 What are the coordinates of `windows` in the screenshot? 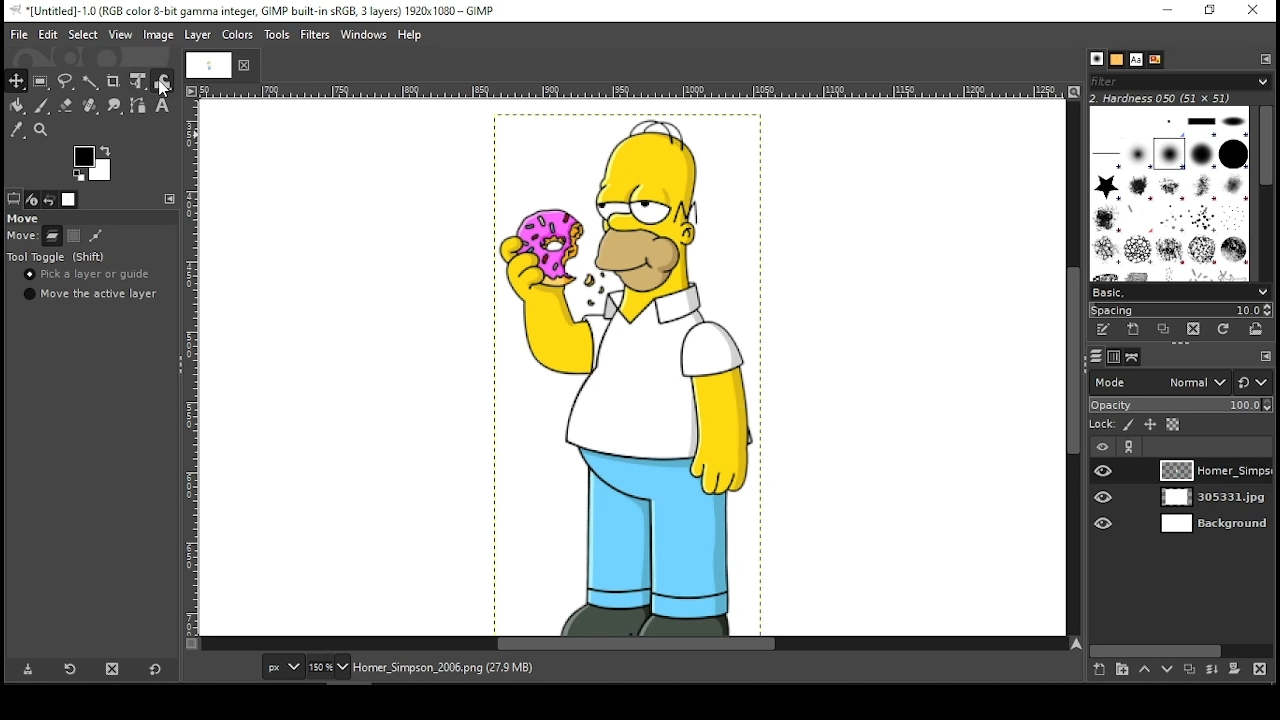 It's located at (363, 34).